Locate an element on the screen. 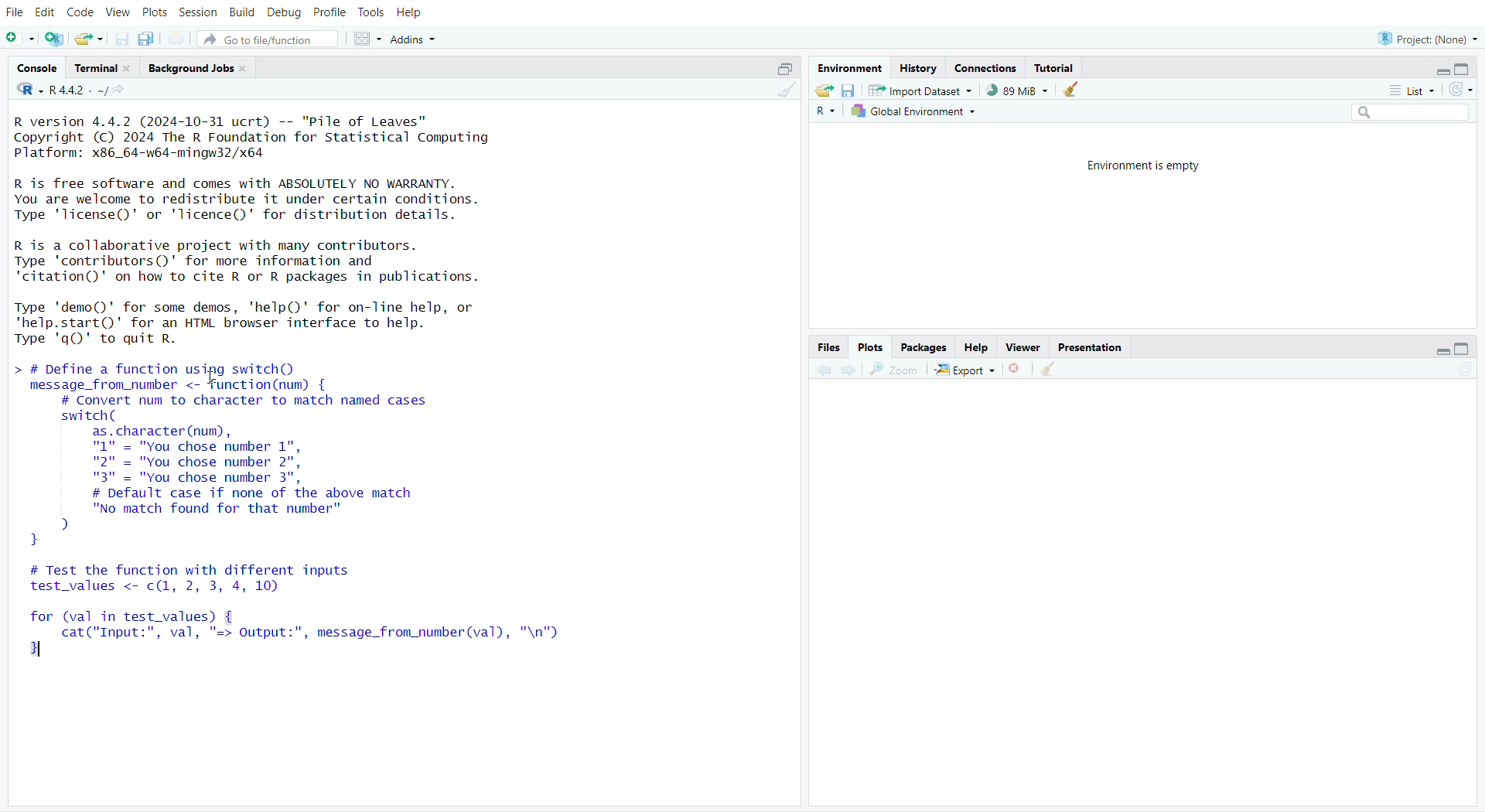 The width and height of the screenshot is (1485, 812). Go to file/function is located at coordinates (268, 39).